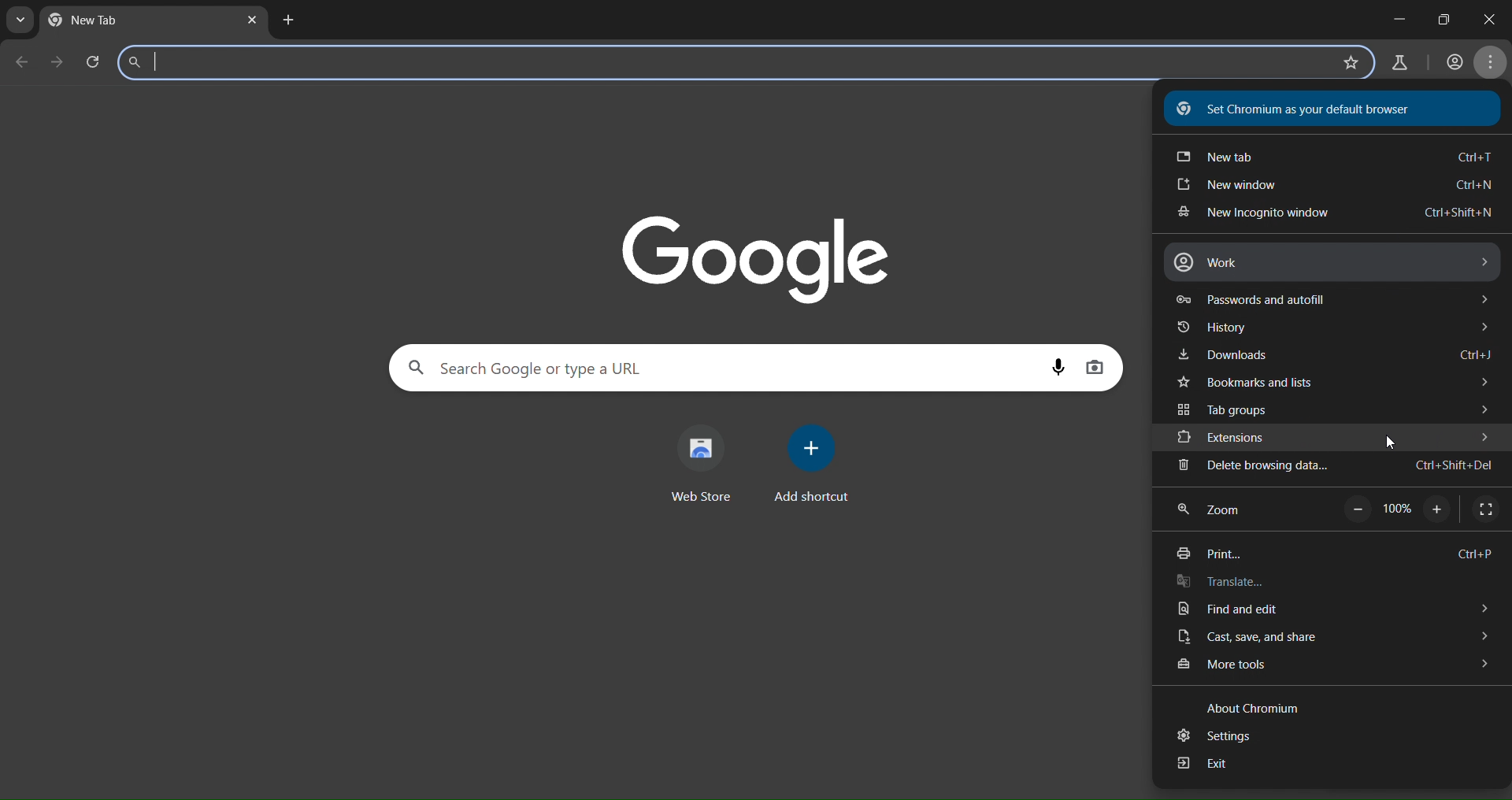 The image size is (1512, 800). I want to click on image, so click(756, 254).